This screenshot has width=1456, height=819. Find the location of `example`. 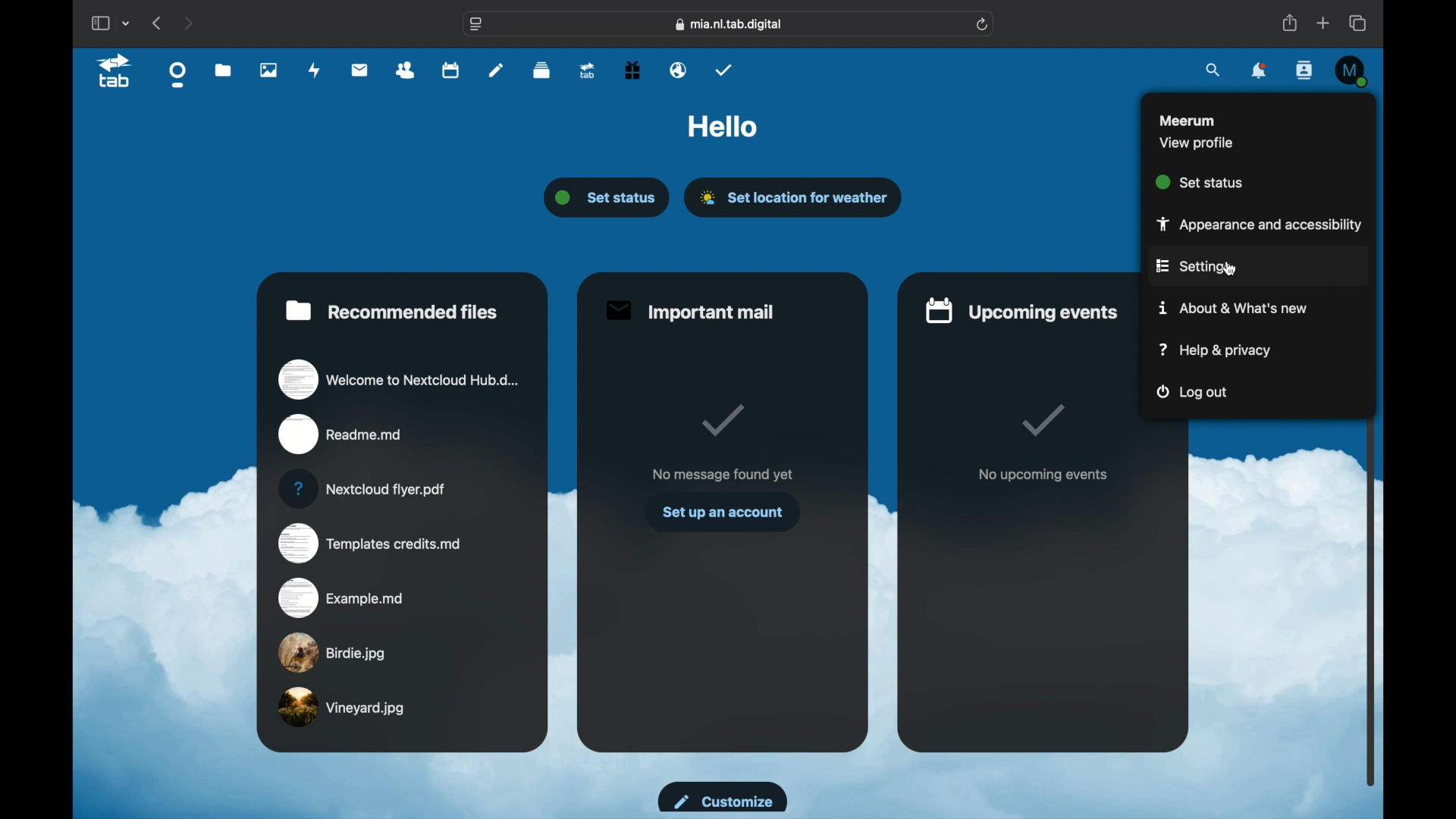

example is located at coordinates (342, 597).